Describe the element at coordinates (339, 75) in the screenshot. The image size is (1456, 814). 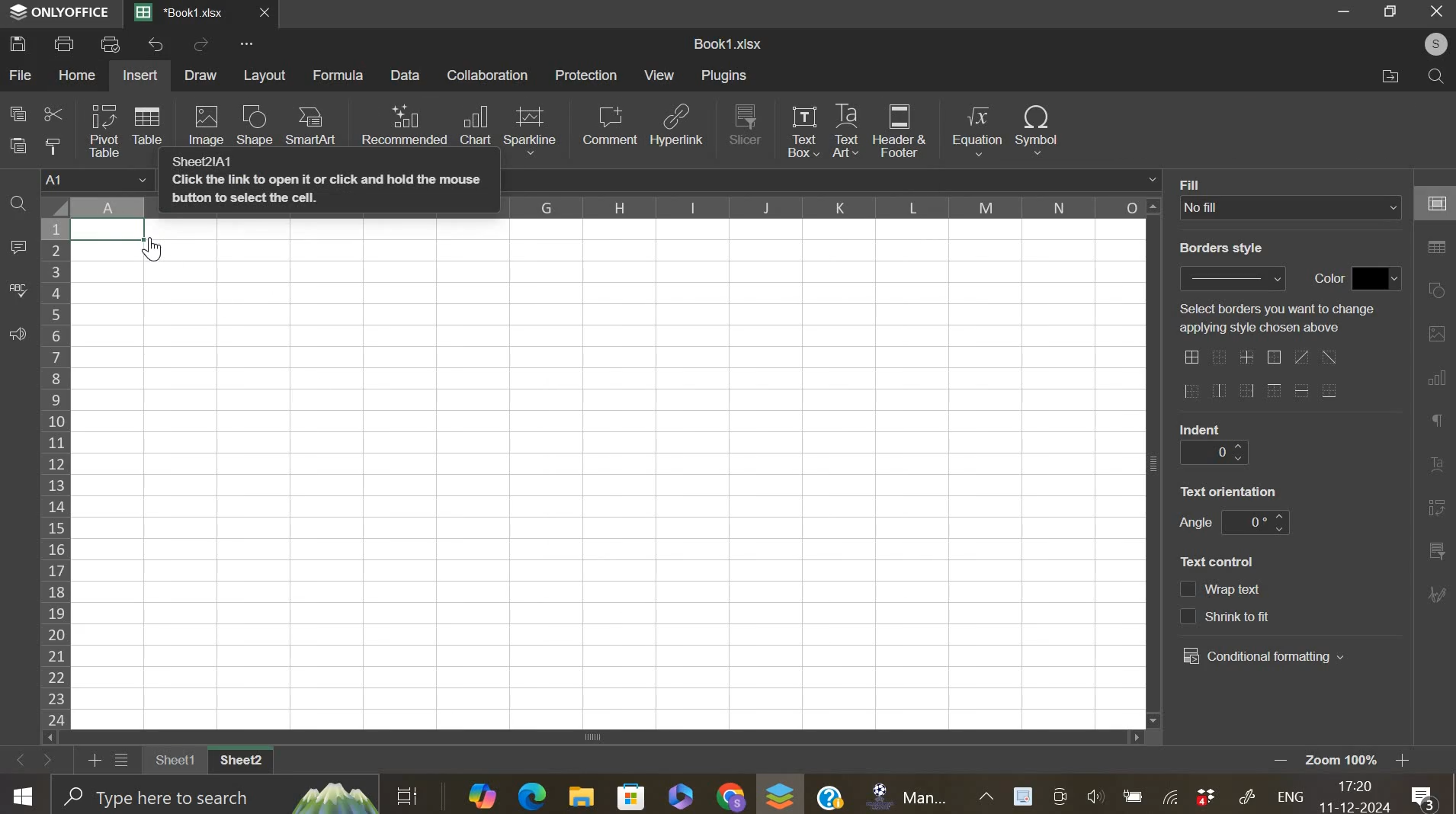
I see `formula` at that location.